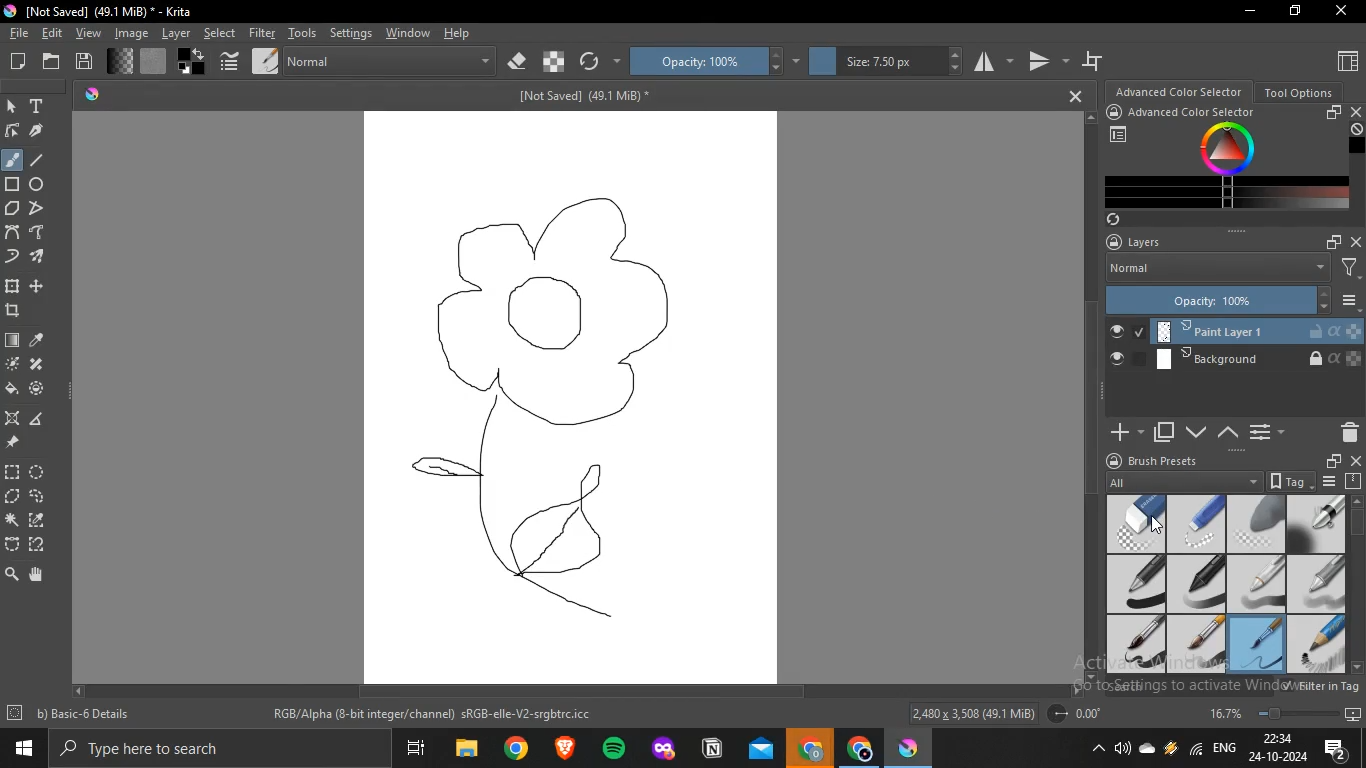 The image size is (1366, 768). Describe the element at coordinates (1332, 461) in the screenshot. I see `floater window` at that location.